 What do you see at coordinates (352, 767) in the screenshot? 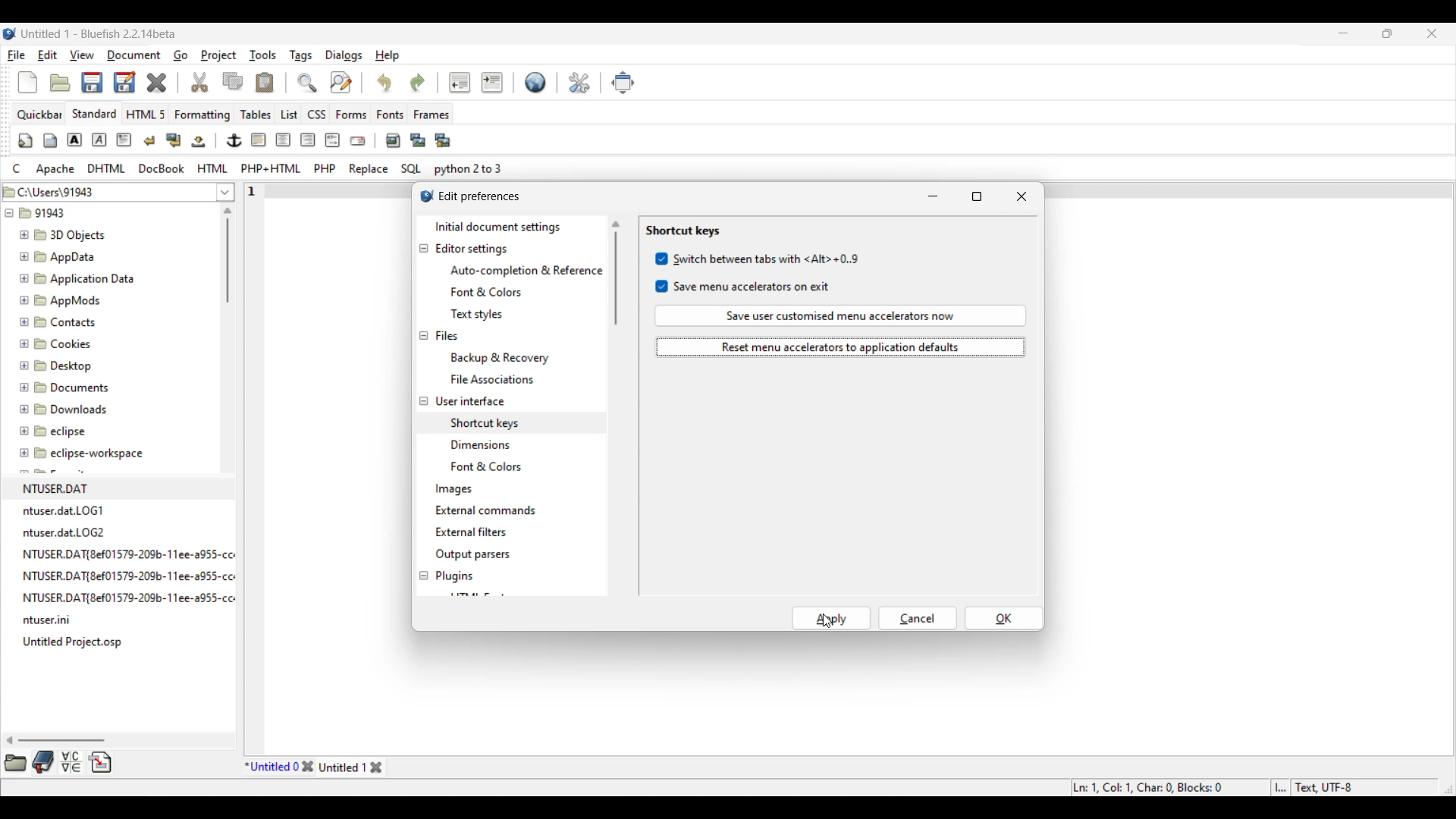
I see `Other tab` at bounding box center [352, 767].